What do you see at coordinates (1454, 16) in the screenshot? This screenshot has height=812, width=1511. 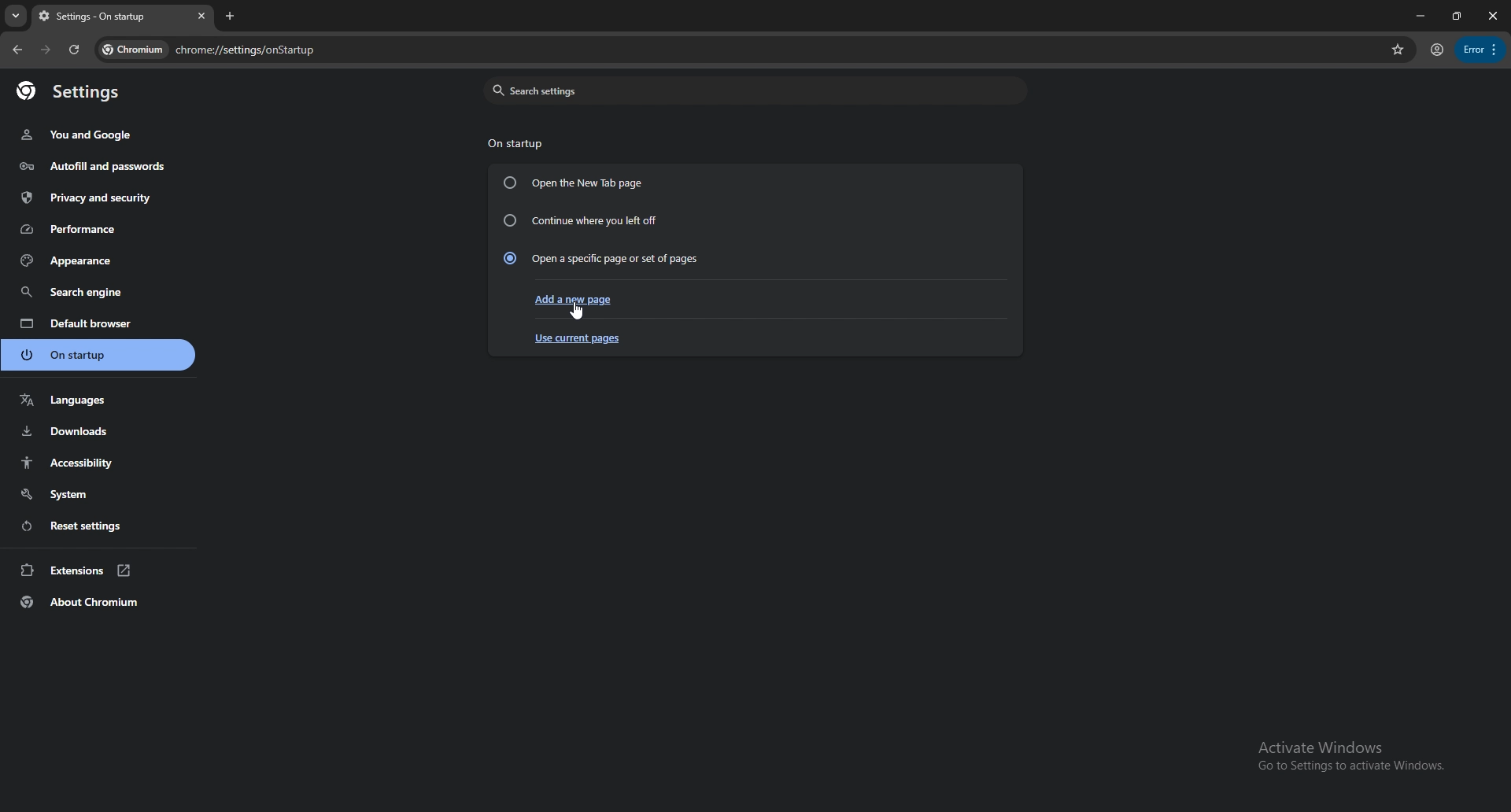 I see `resize` at bounding box center [1454, 16].